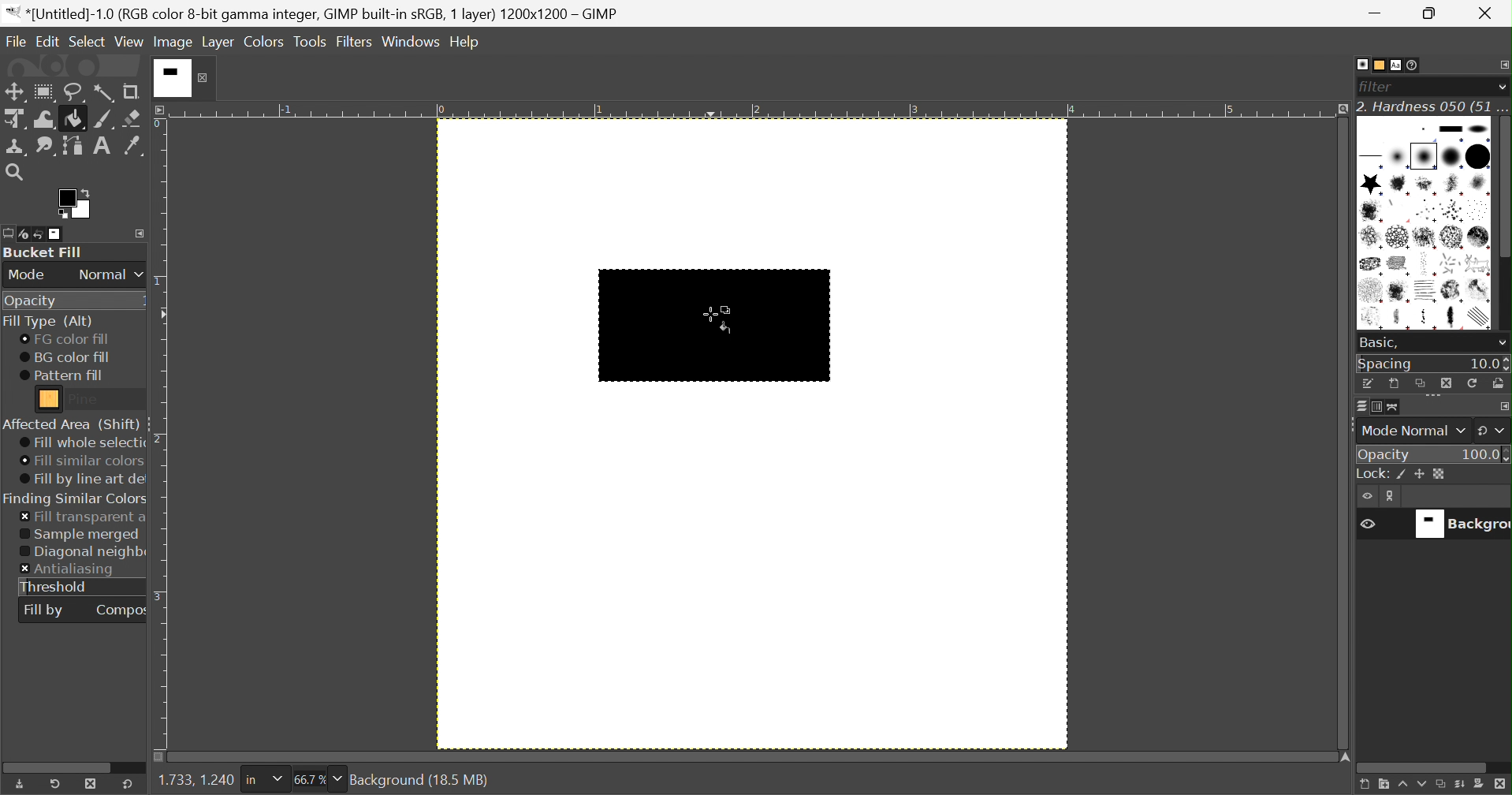 This screenshot has height=795, width=1512. What do you see at coordinates (1480, 211) in the screenshot?
I see `Bristles 03` at bounding box center [1480, 211].